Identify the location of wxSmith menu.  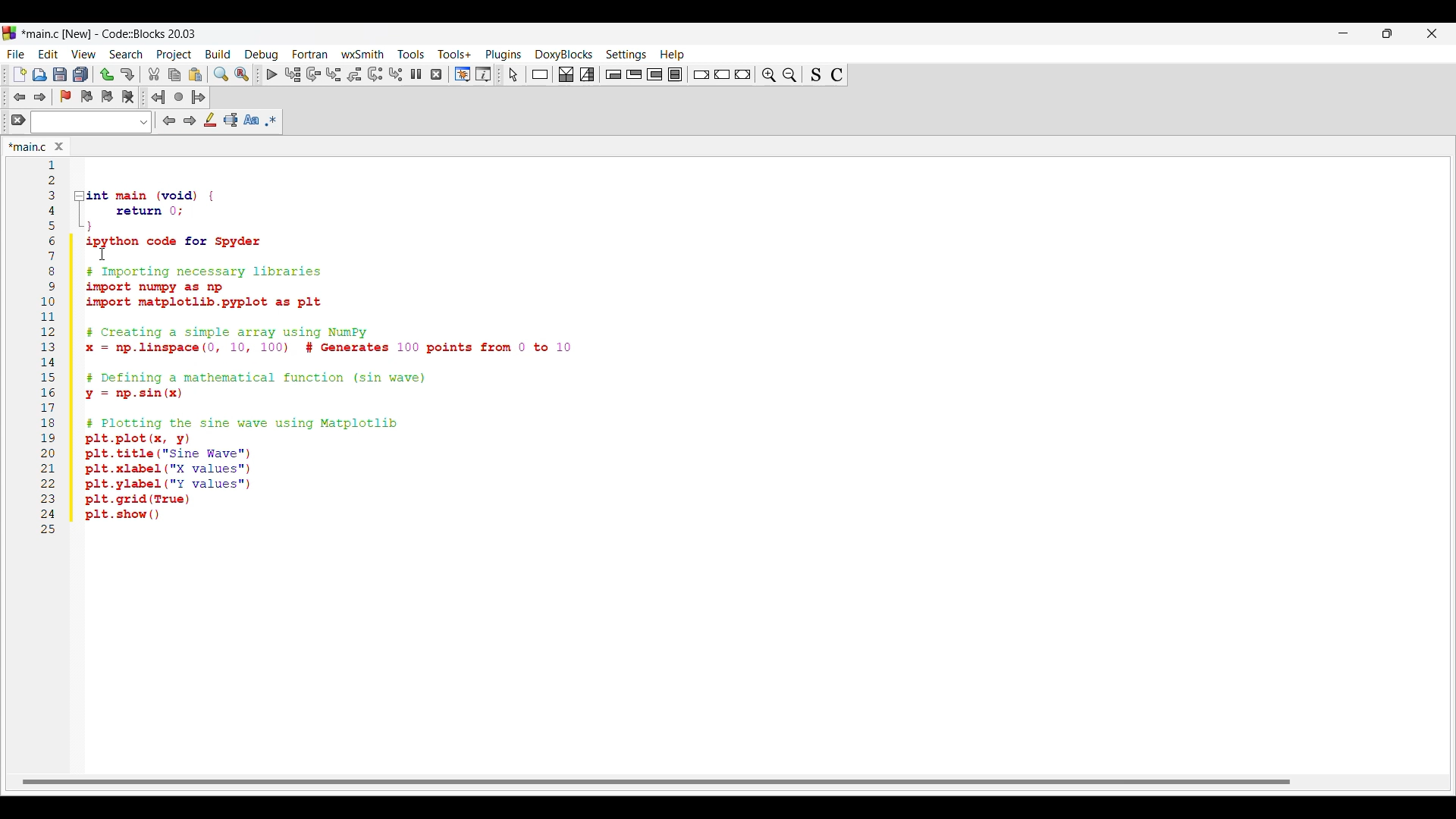
(362, 54).